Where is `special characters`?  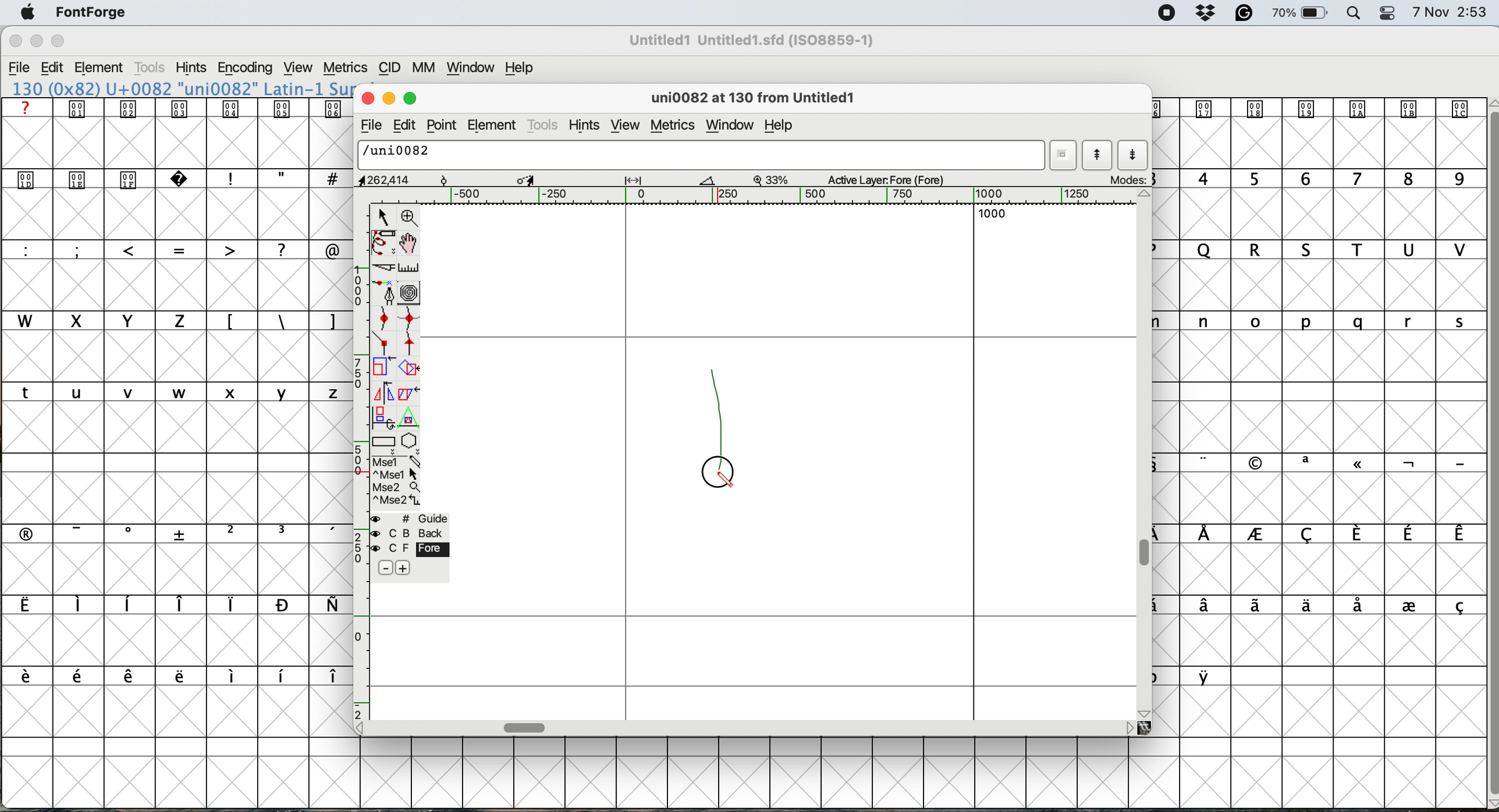
special characters is located at coordinates (1310, 462).